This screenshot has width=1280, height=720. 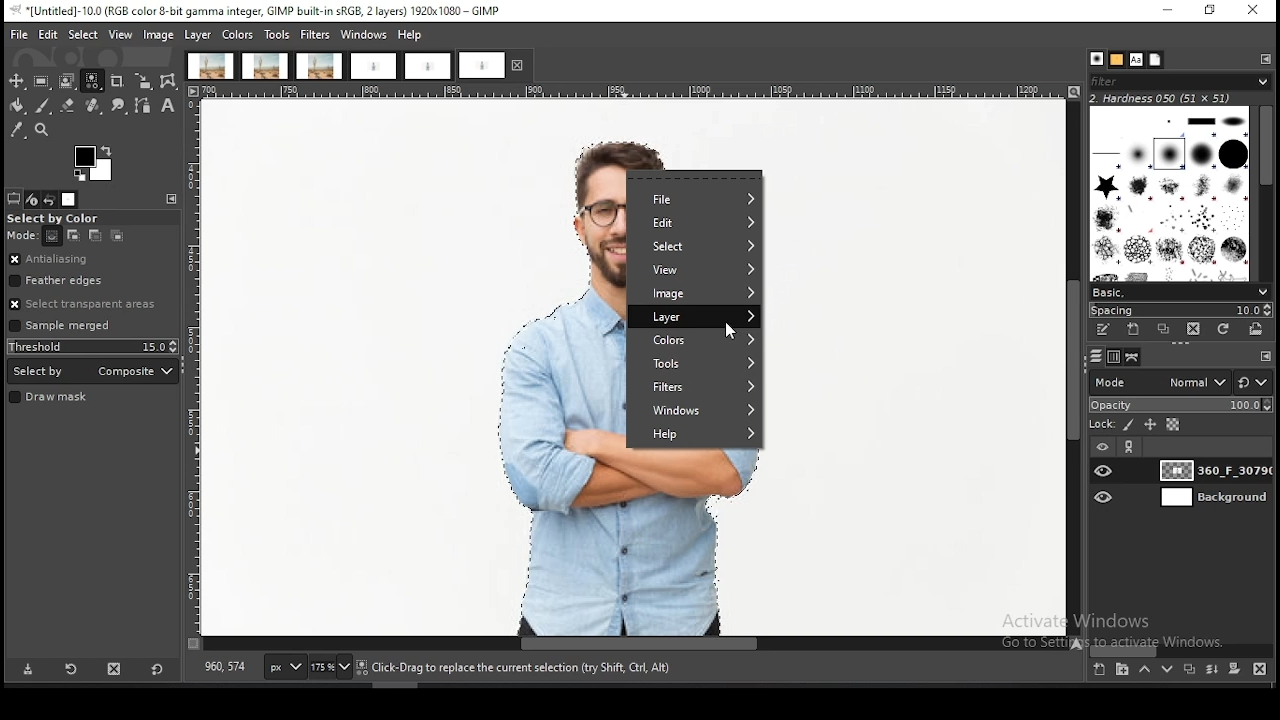 What do you see at coordinates (1100, 425) in the screenshot?
I see `lock` at bounding box center [1100, 425].